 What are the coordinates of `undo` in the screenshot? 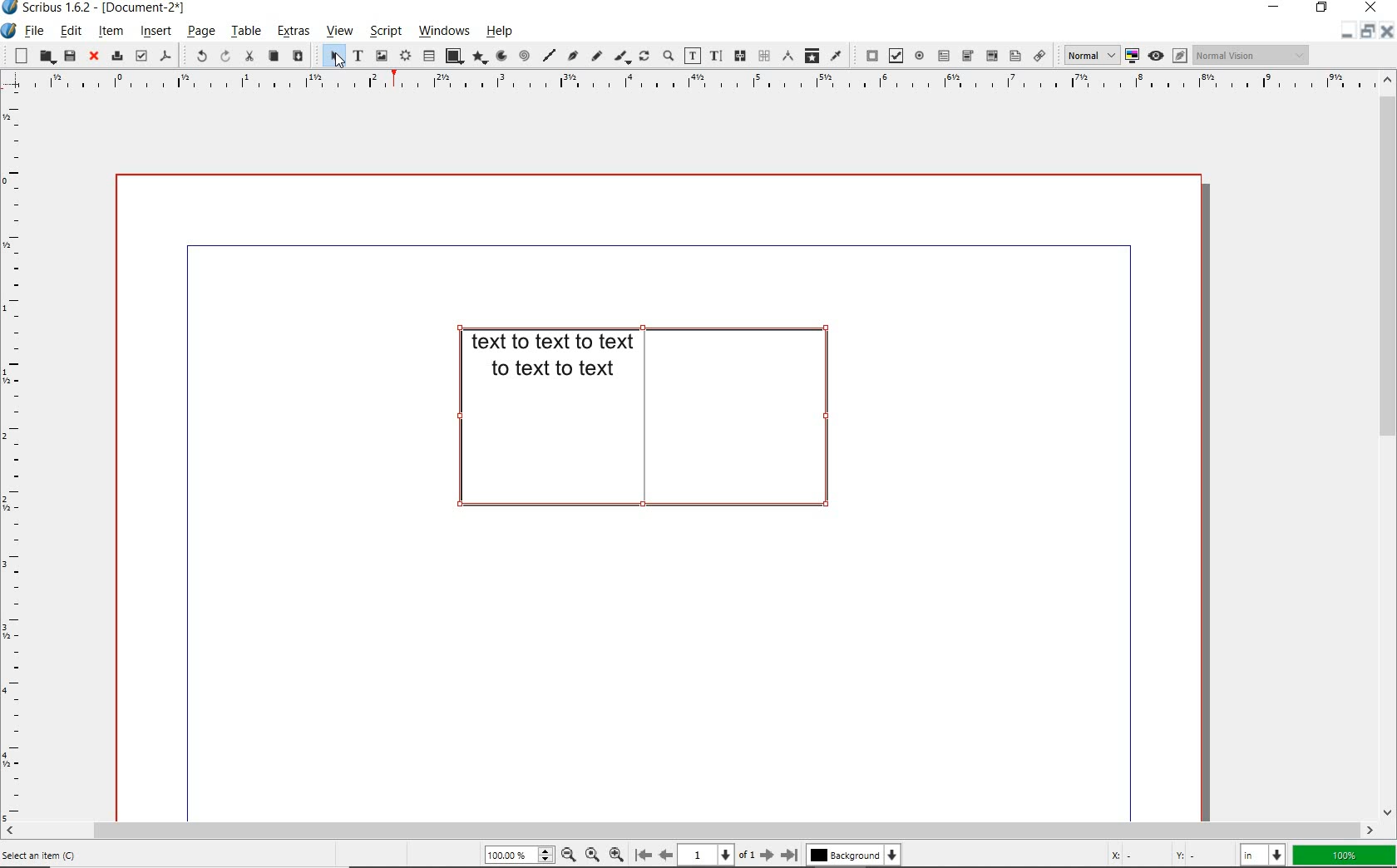 It's located at (198, 56).